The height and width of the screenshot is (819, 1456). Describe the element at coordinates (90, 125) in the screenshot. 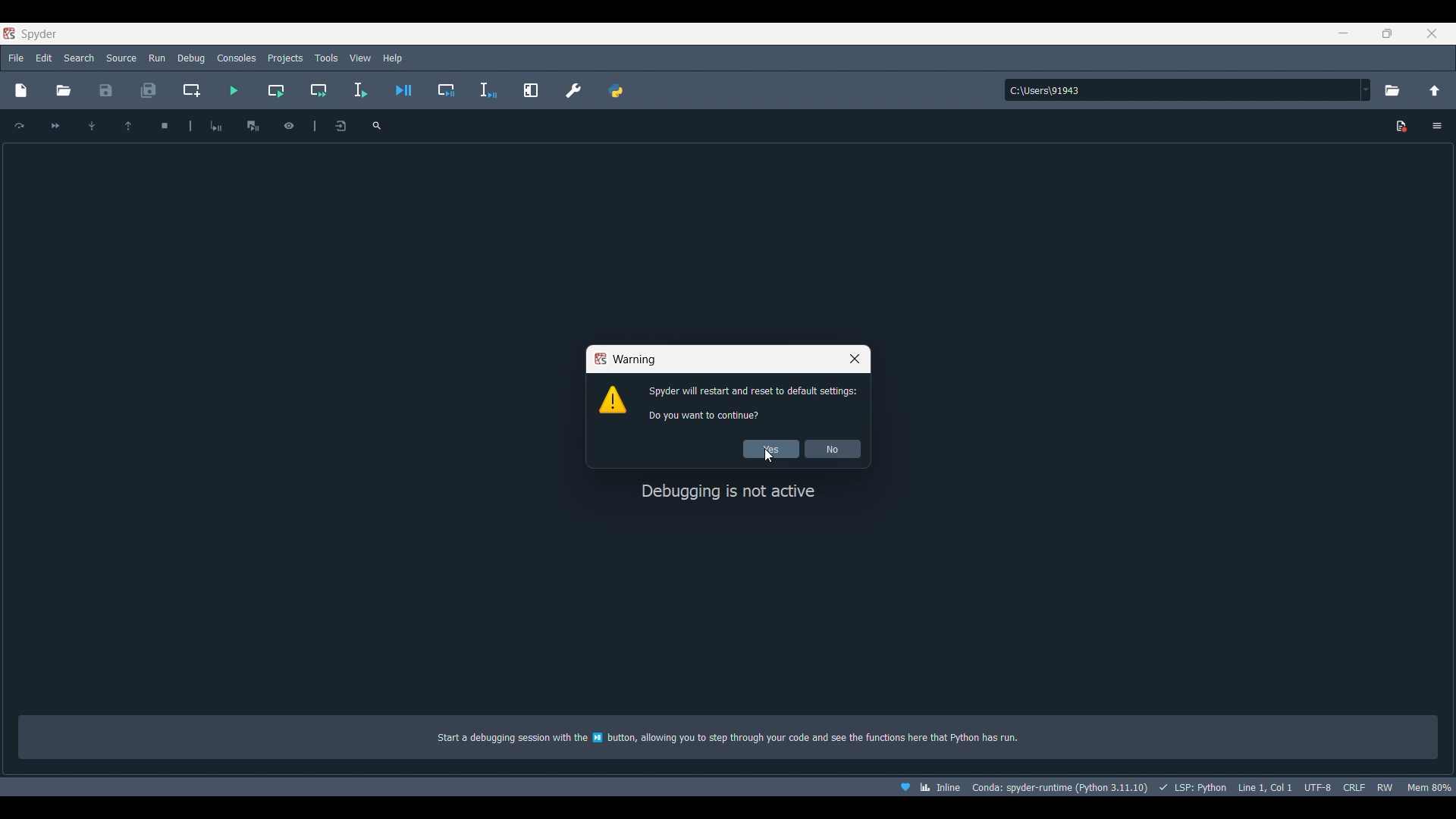

I see `move down` at that location.